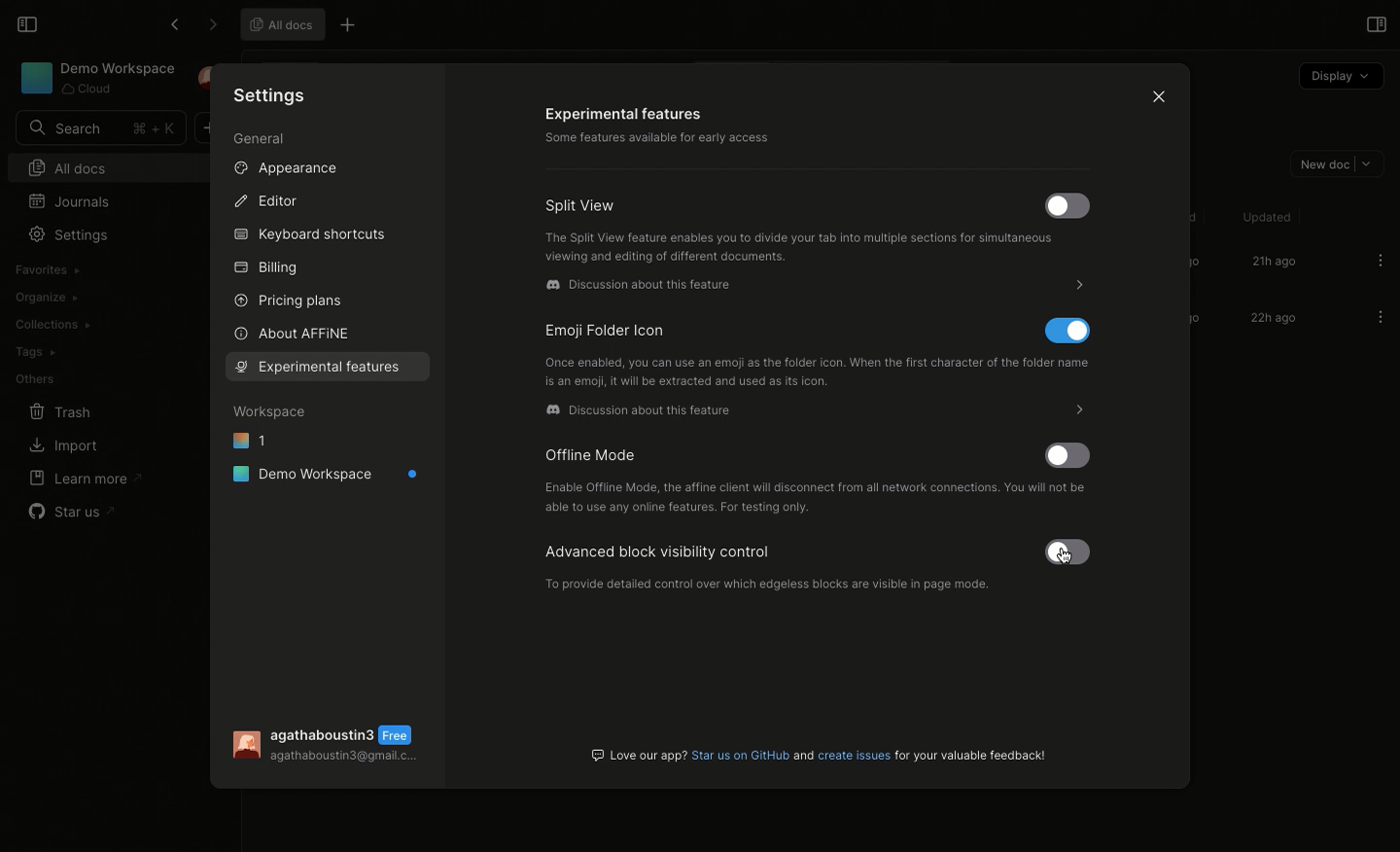  I want to click on Workspace, so click(271, 410).